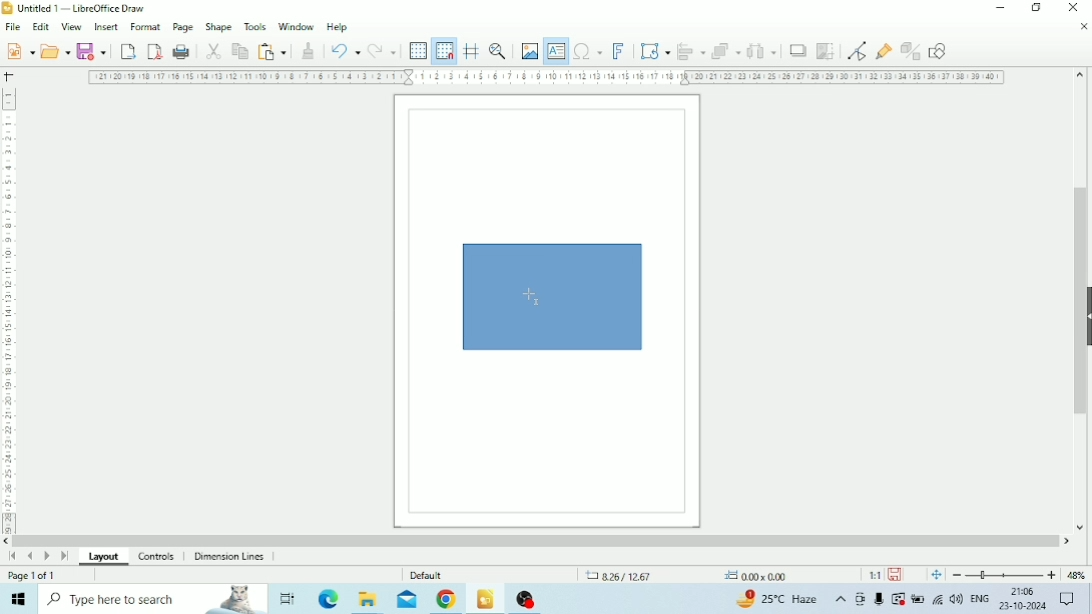  What do you see at coordinates (554, 51) in the screenshot?
I see `Insert Text Box` at bounding box center [554, 51].